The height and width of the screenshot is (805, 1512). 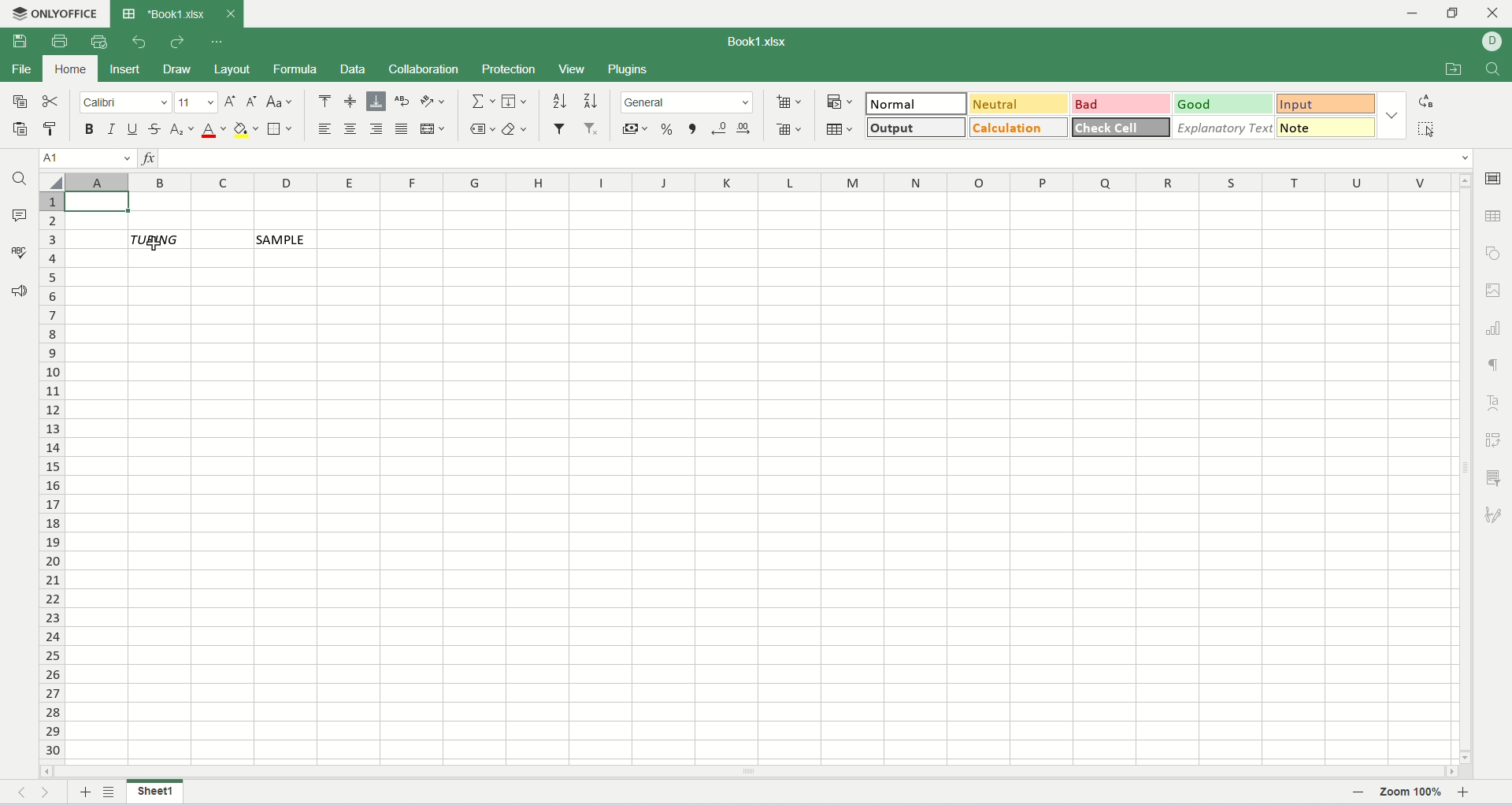 I want to click on plugins, so click(x=627, y=71).